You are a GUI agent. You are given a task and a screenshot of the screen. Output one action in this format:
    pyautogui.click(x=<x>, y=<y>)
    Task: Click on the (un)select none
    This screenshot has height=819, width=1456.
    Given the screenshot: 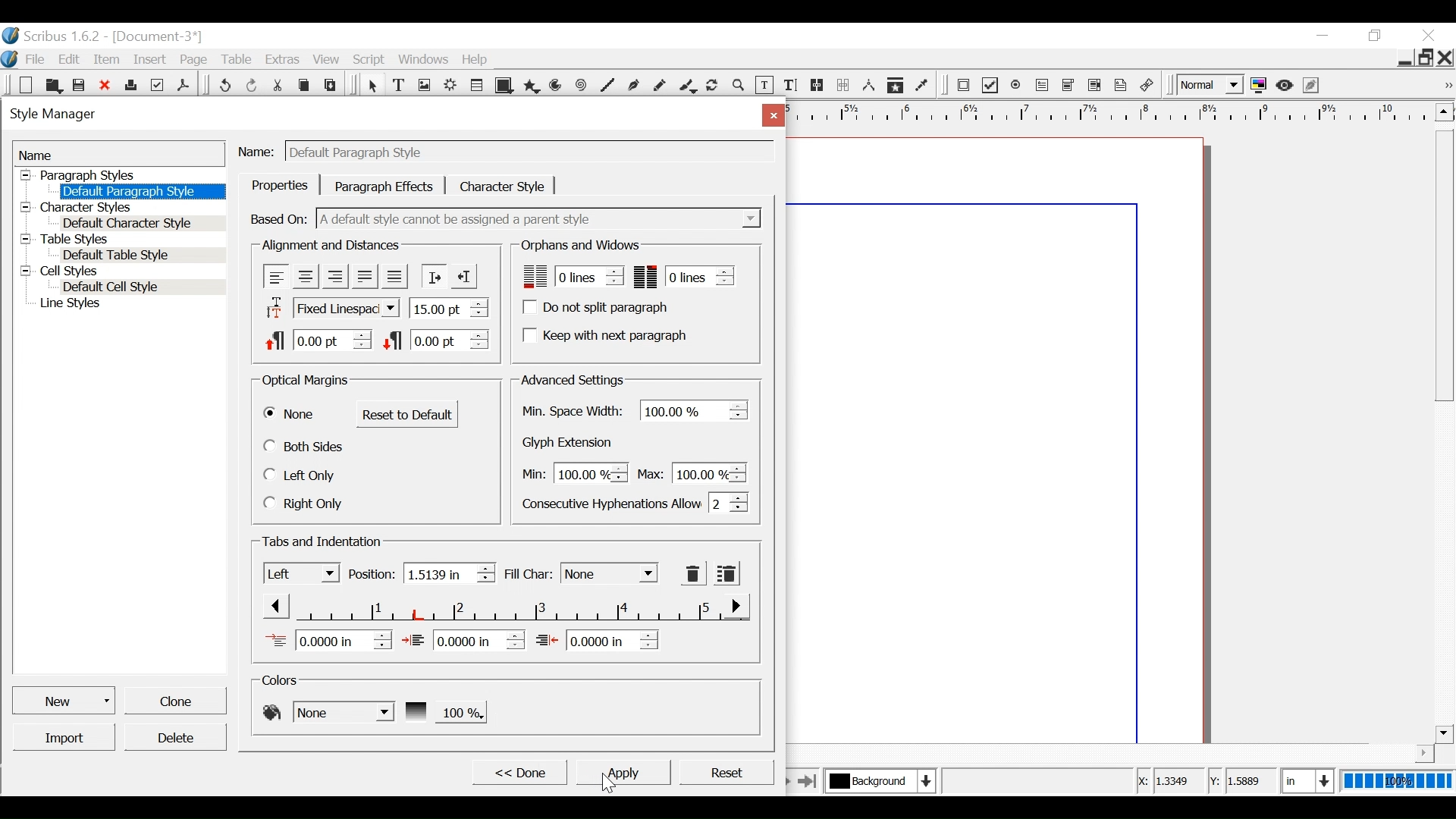 What is the action you would take?
    pyautogui.click(x=290, y=415)
    